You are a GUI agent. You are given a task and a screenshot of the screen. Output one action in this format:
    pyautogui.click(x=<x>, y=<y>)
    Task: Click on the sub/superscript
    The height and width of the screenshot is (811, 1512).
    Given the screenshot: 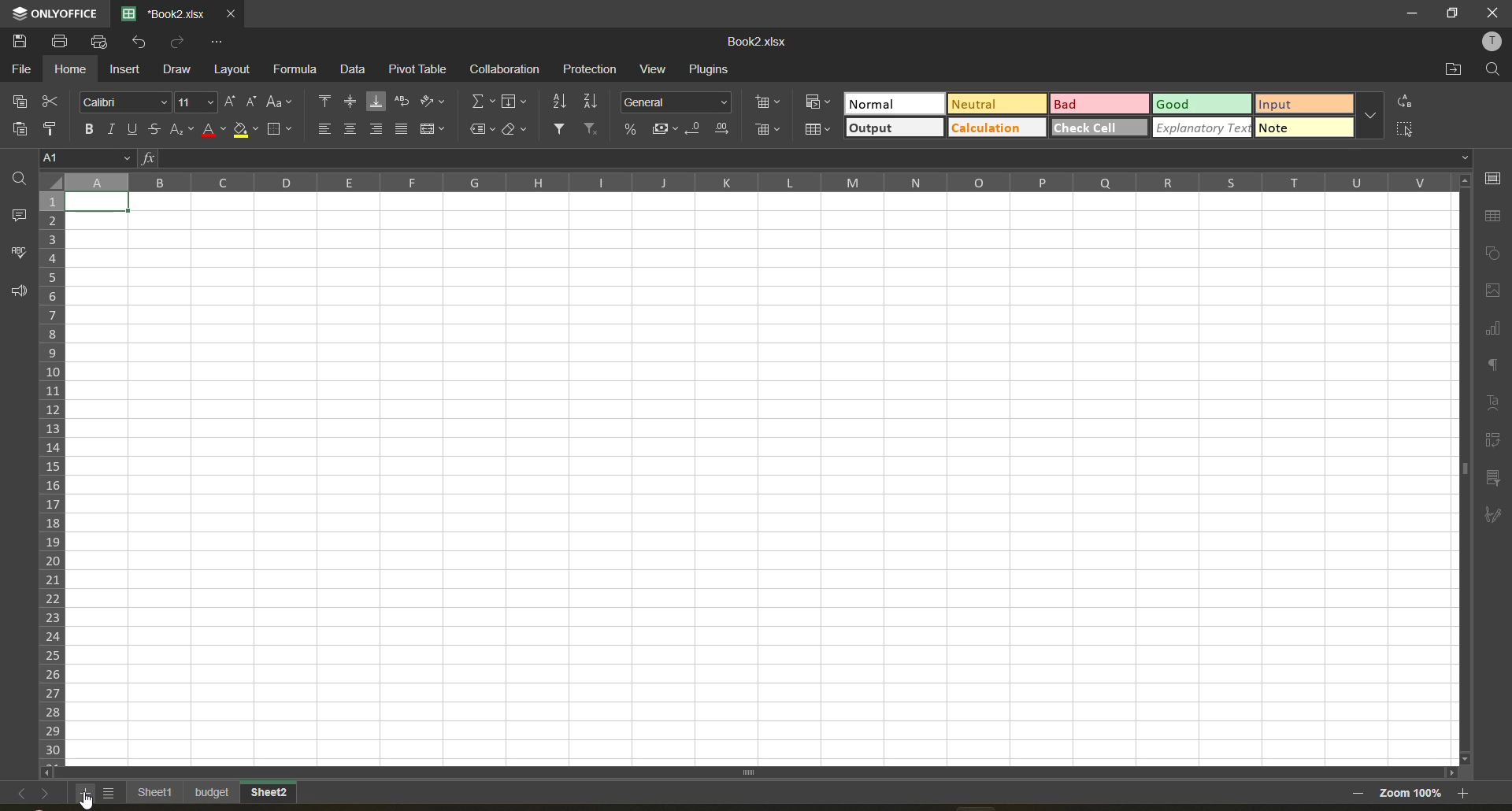 What is the action you would take?
    pyautogui.click(x=183, y=130)
    